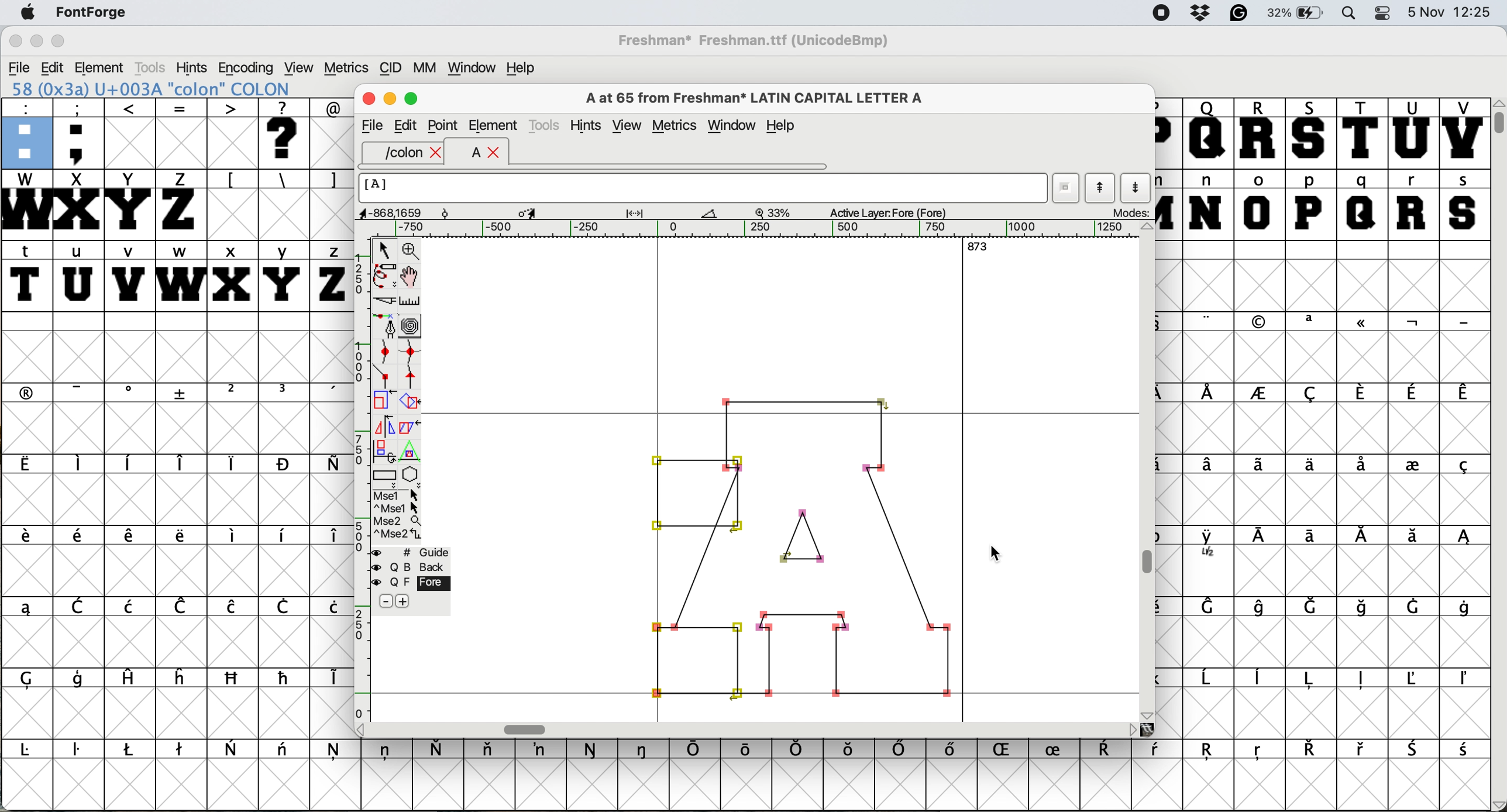 The height and width of the screenshot is (812, 1507). Describe the element at coordinates (1360, 393) in the screenshot. I see `symbol` at that location.